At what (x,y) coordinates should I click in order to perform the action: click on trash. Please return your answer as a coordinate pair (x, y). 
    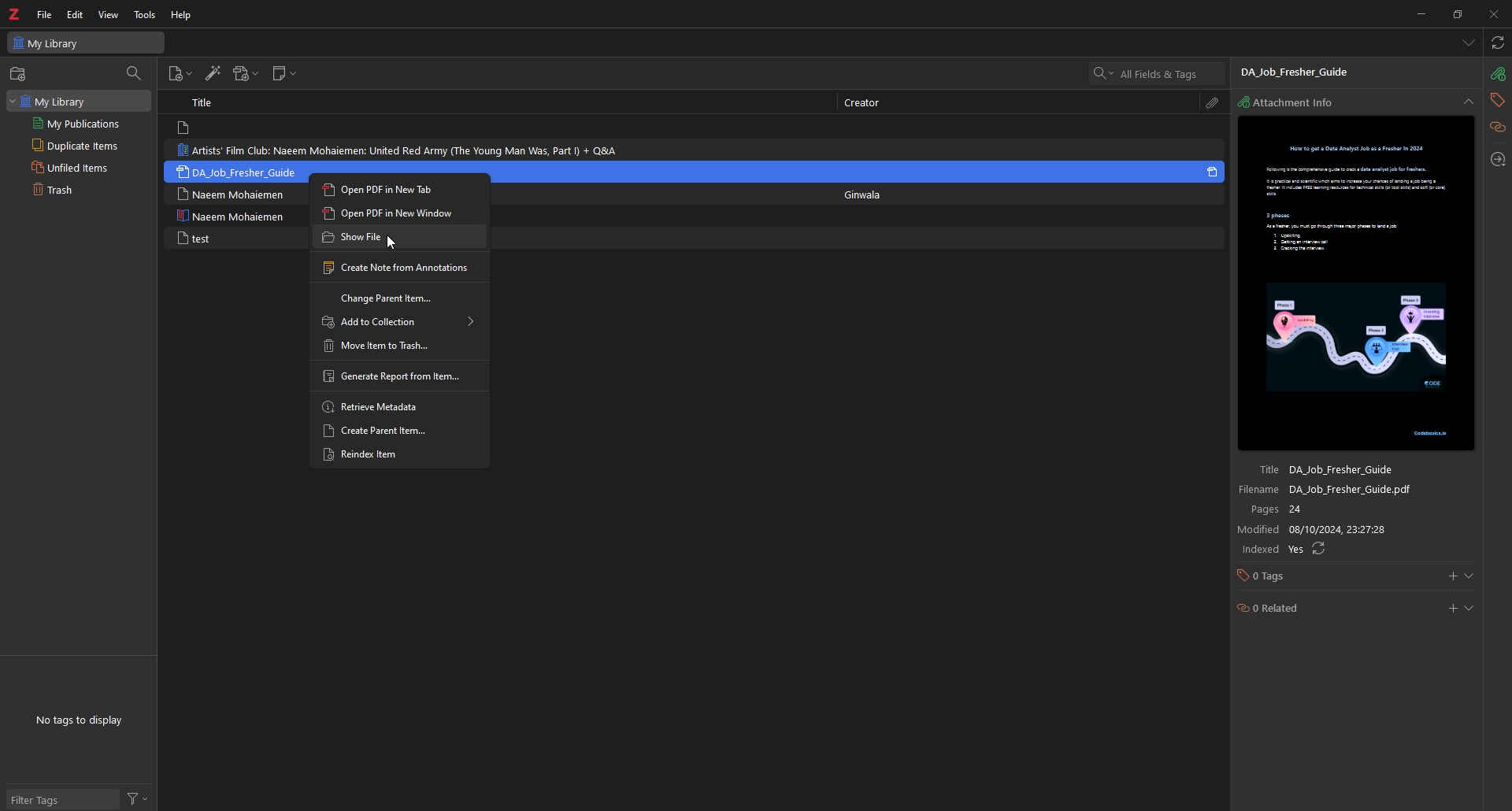
    Looking at the image, I should click on (76, 190).